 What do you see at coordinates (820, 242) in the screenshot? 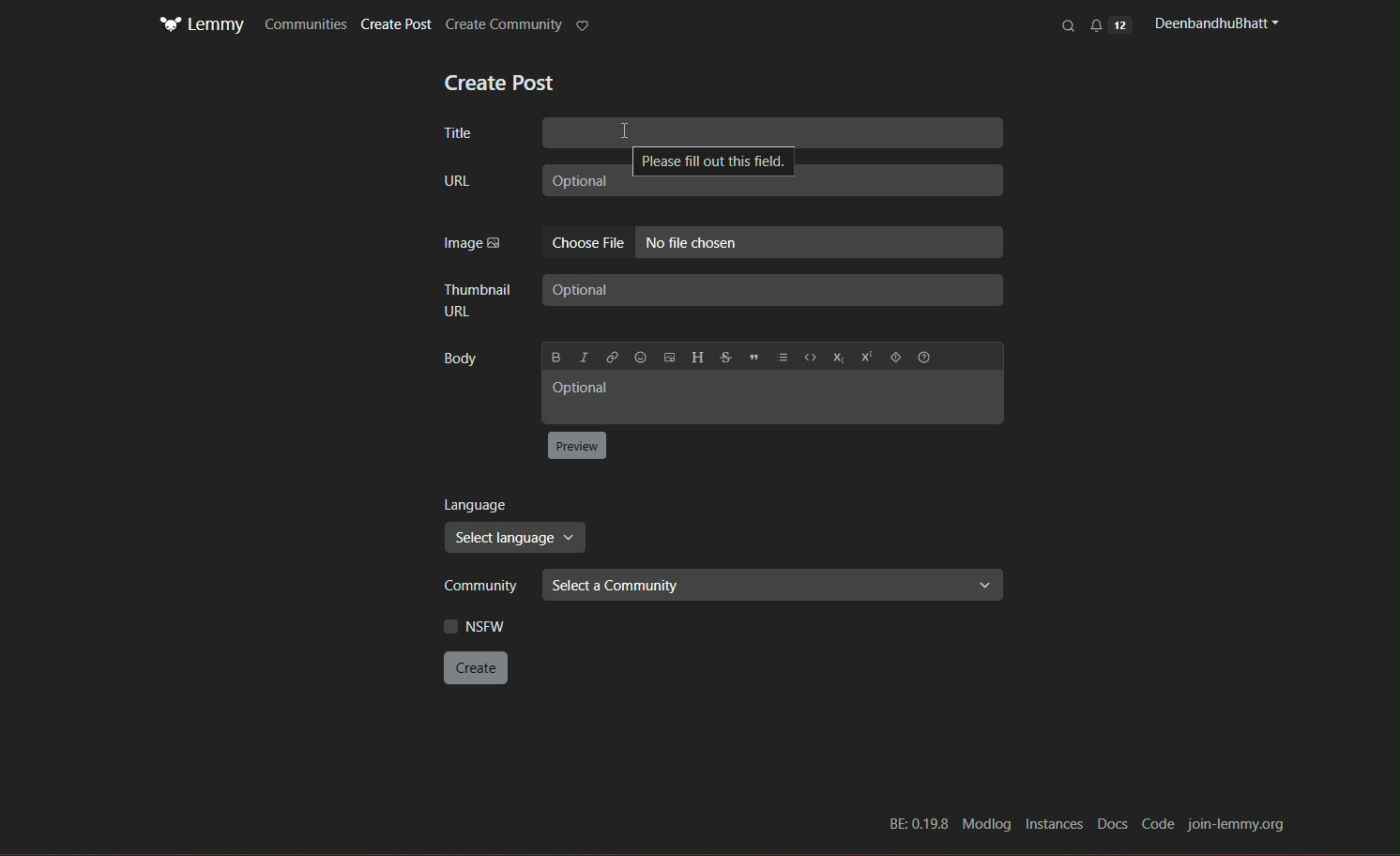
I see `No file chosen` at bounding box center [820, 242].